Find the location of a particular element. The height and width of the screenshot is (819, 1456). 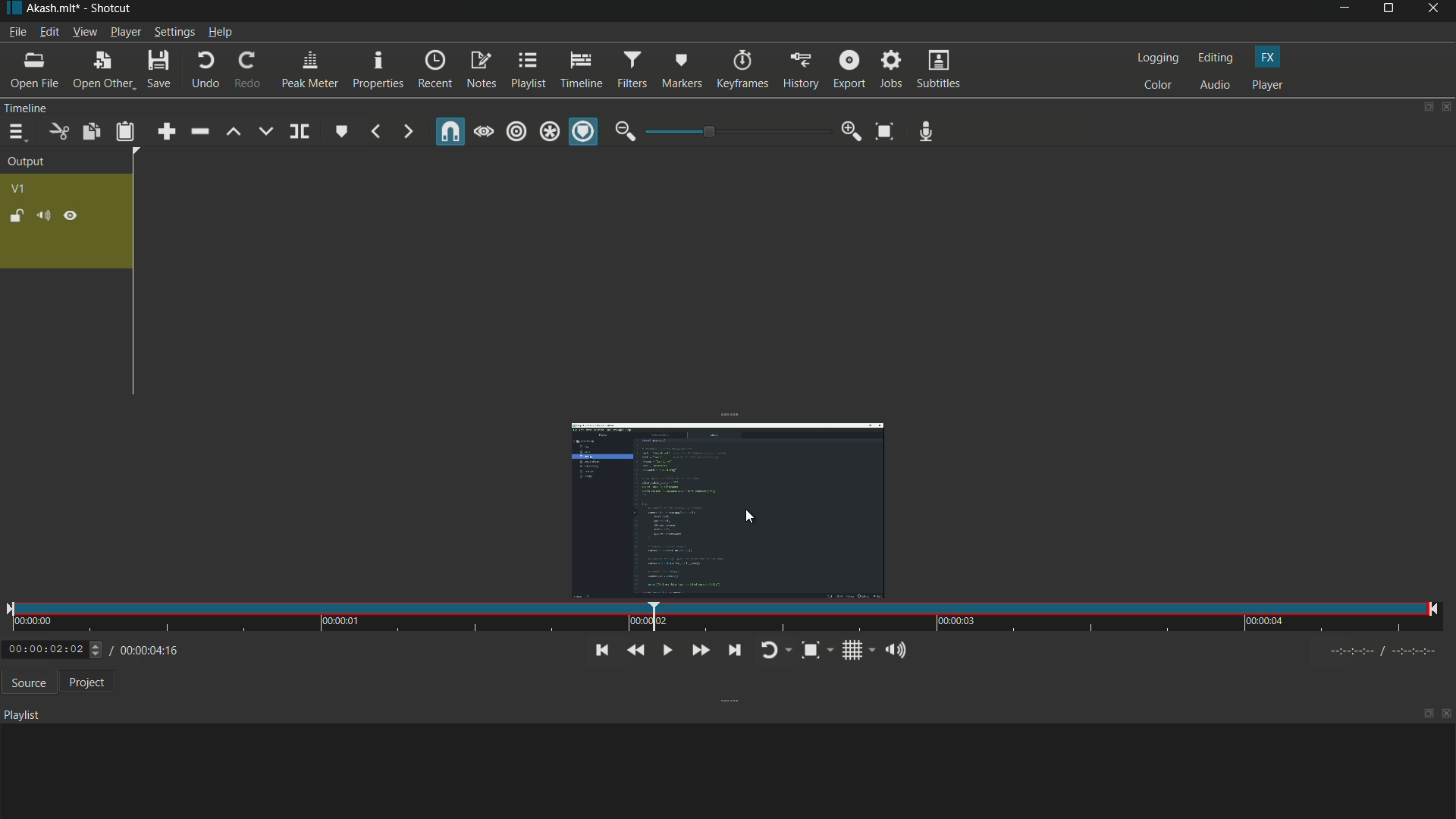

open other is located at coordinates (99, 71).